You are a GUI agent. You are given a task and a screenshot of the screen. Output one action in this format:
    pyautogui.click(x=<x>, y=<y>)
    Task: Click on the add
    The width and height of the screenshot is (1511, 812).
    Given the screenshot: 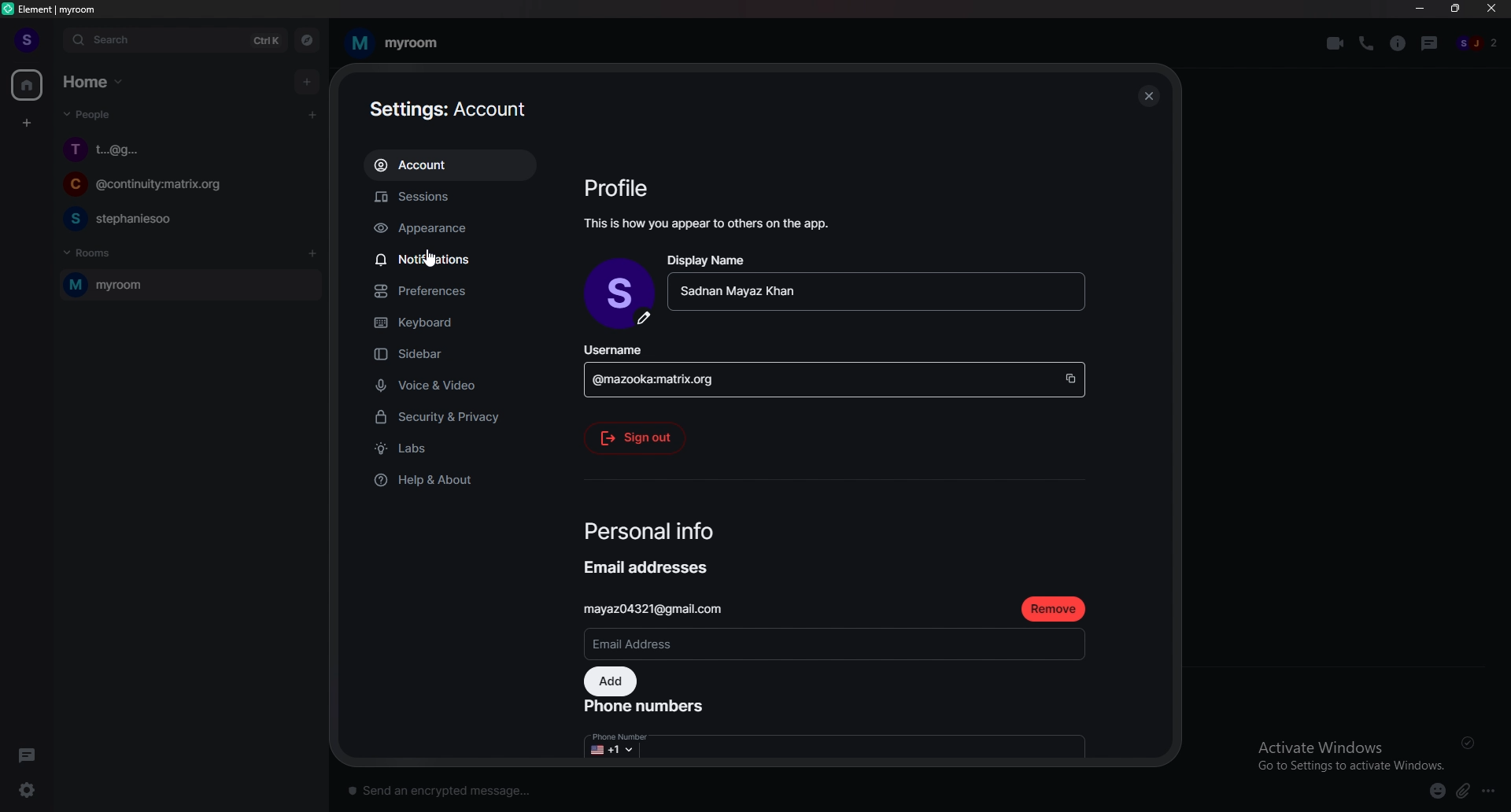 What is the action you would take?
    pyautogui.click(x=305, y=83)
    